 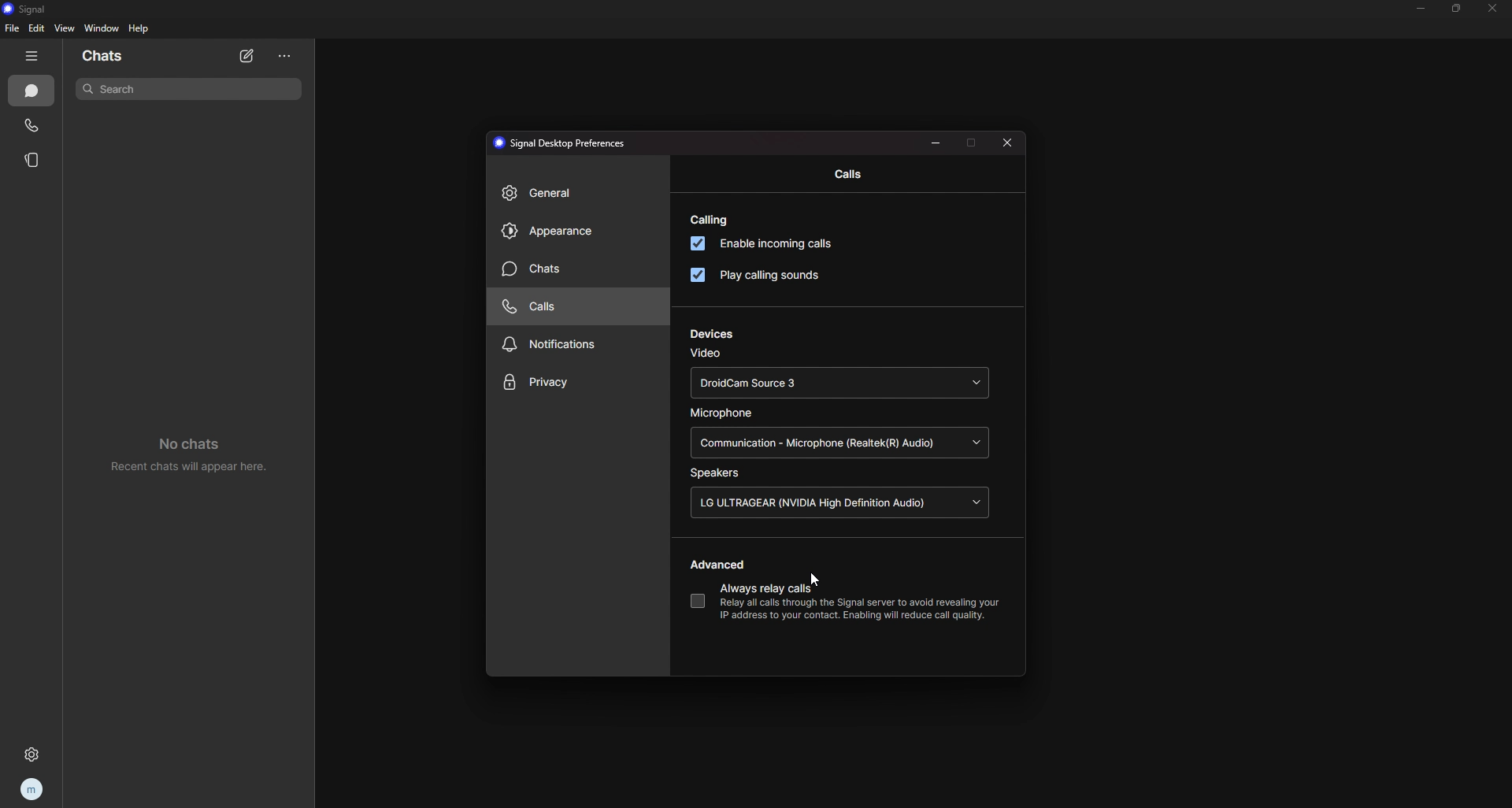 I want to click on chats, so click(x=107, y=57).